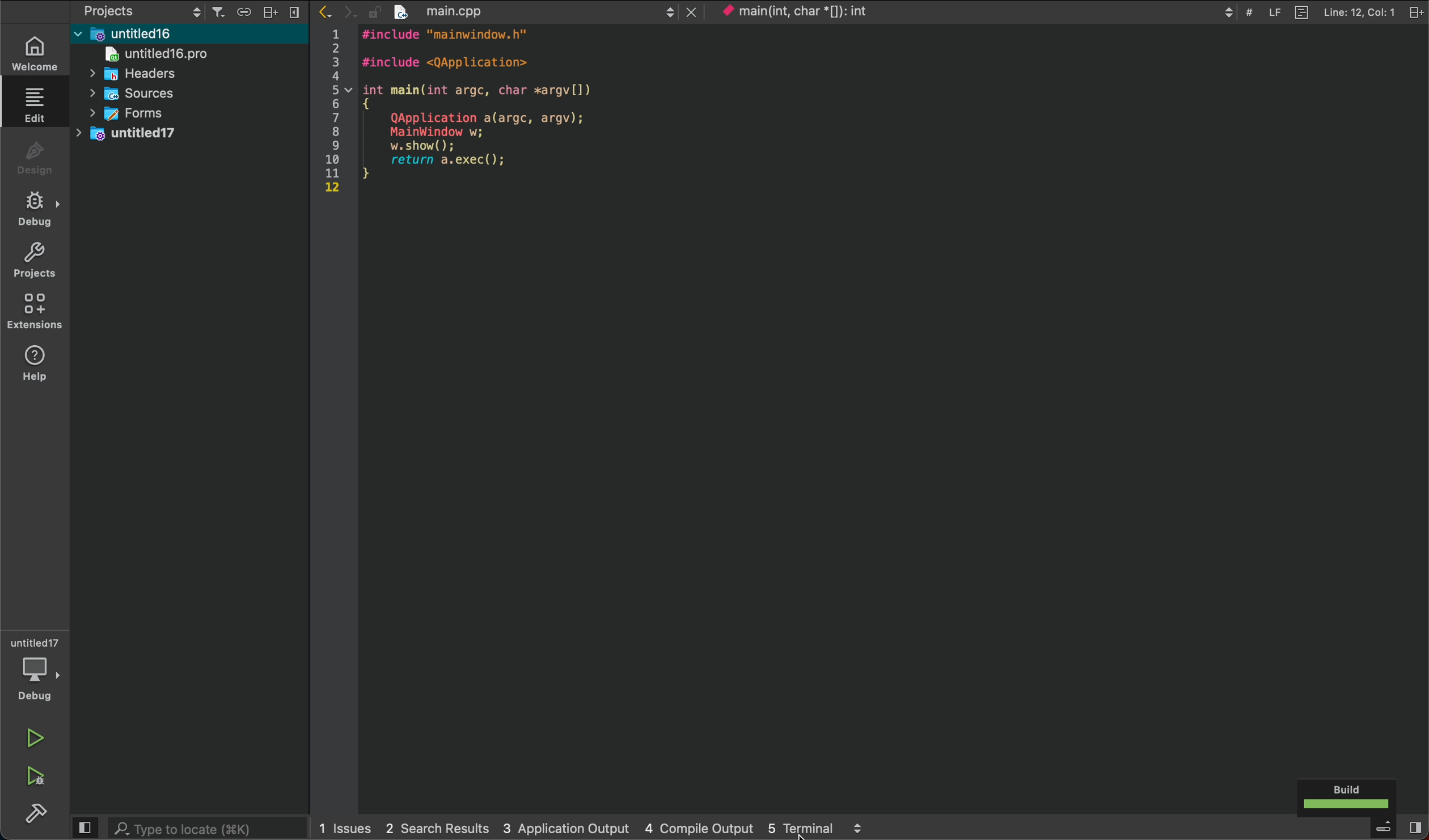  I want to click on main.cpp, so click(521, 11).